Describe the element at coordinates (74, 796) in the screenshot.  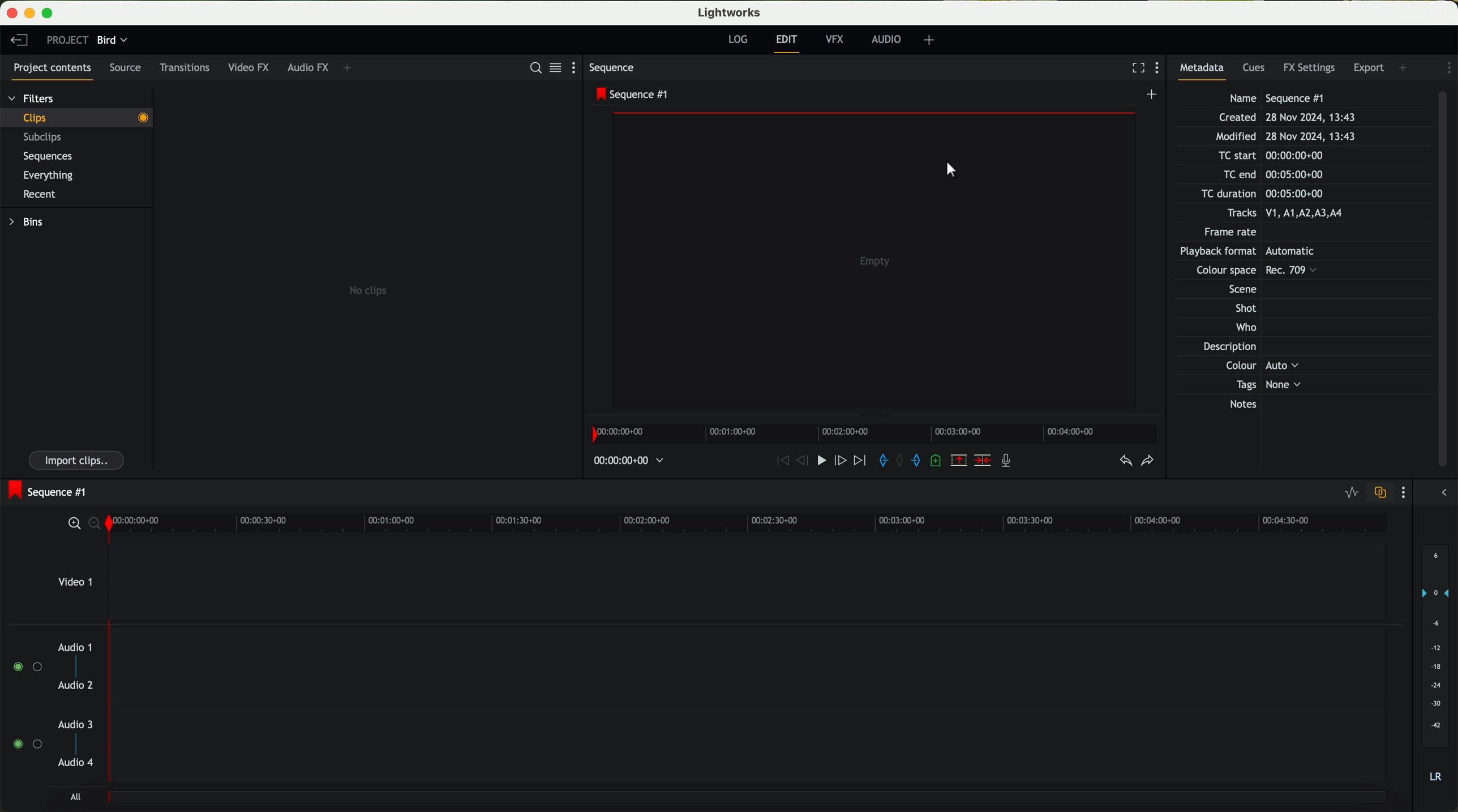
I see `all` at that location.